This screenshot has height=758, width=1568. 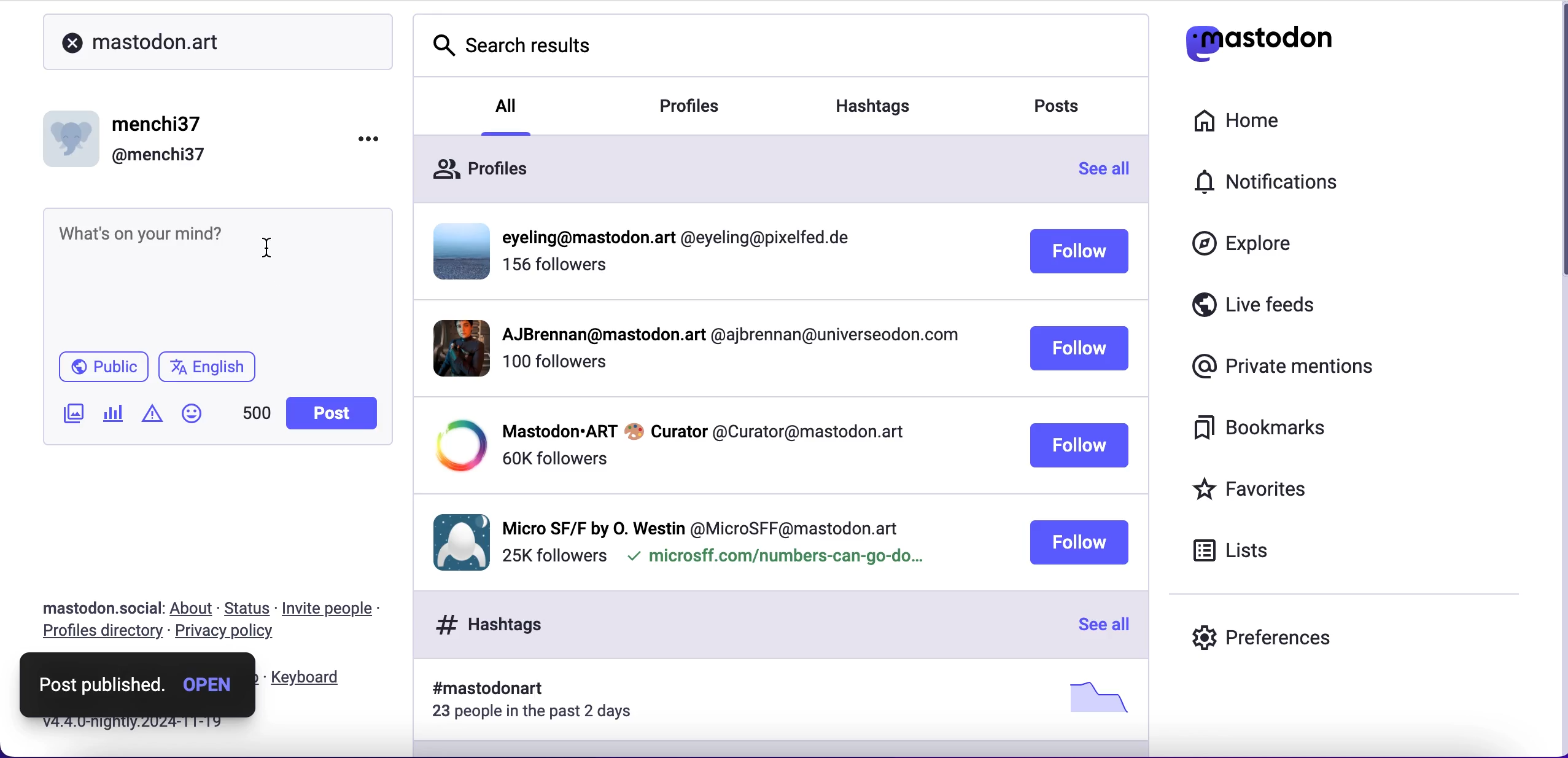 I want to click on all, so click(x=508, y=104).